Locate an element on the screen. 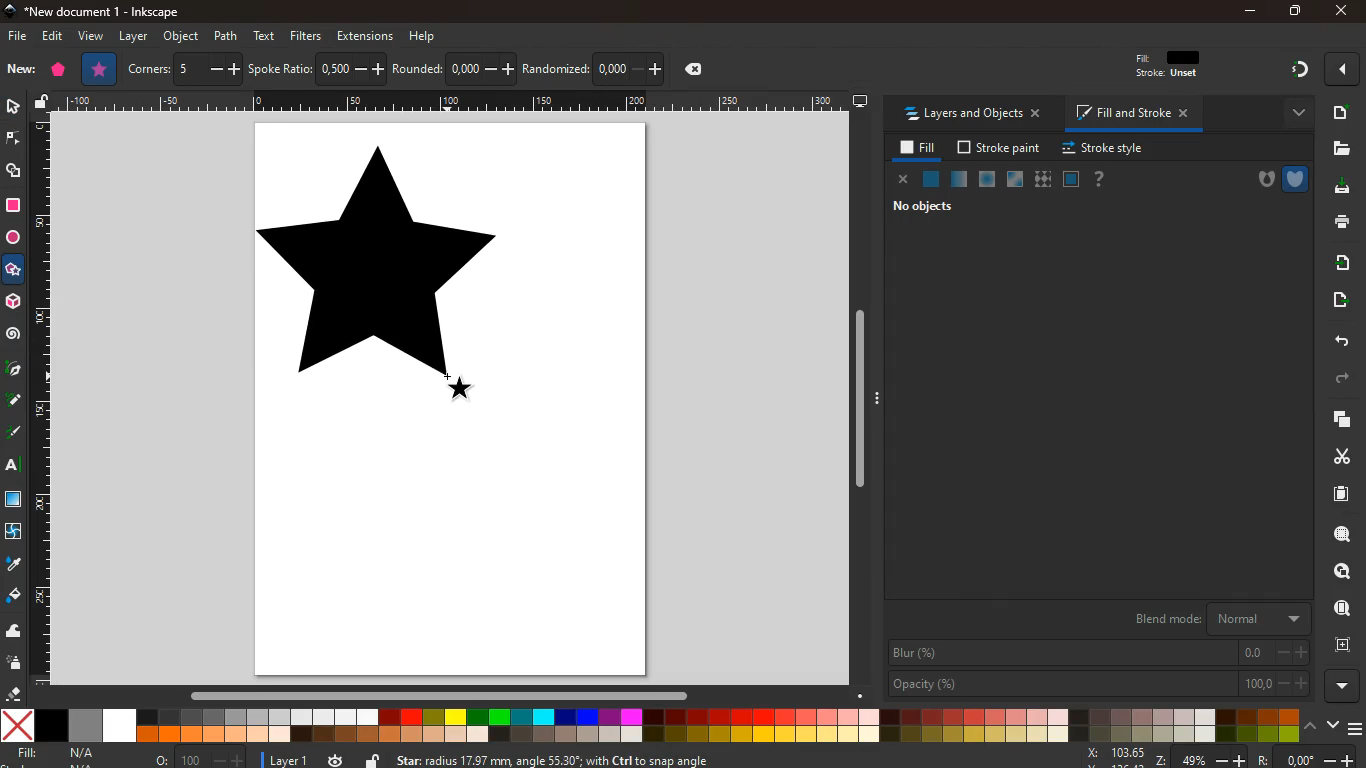  shapes is located at coordinates (14, 173).